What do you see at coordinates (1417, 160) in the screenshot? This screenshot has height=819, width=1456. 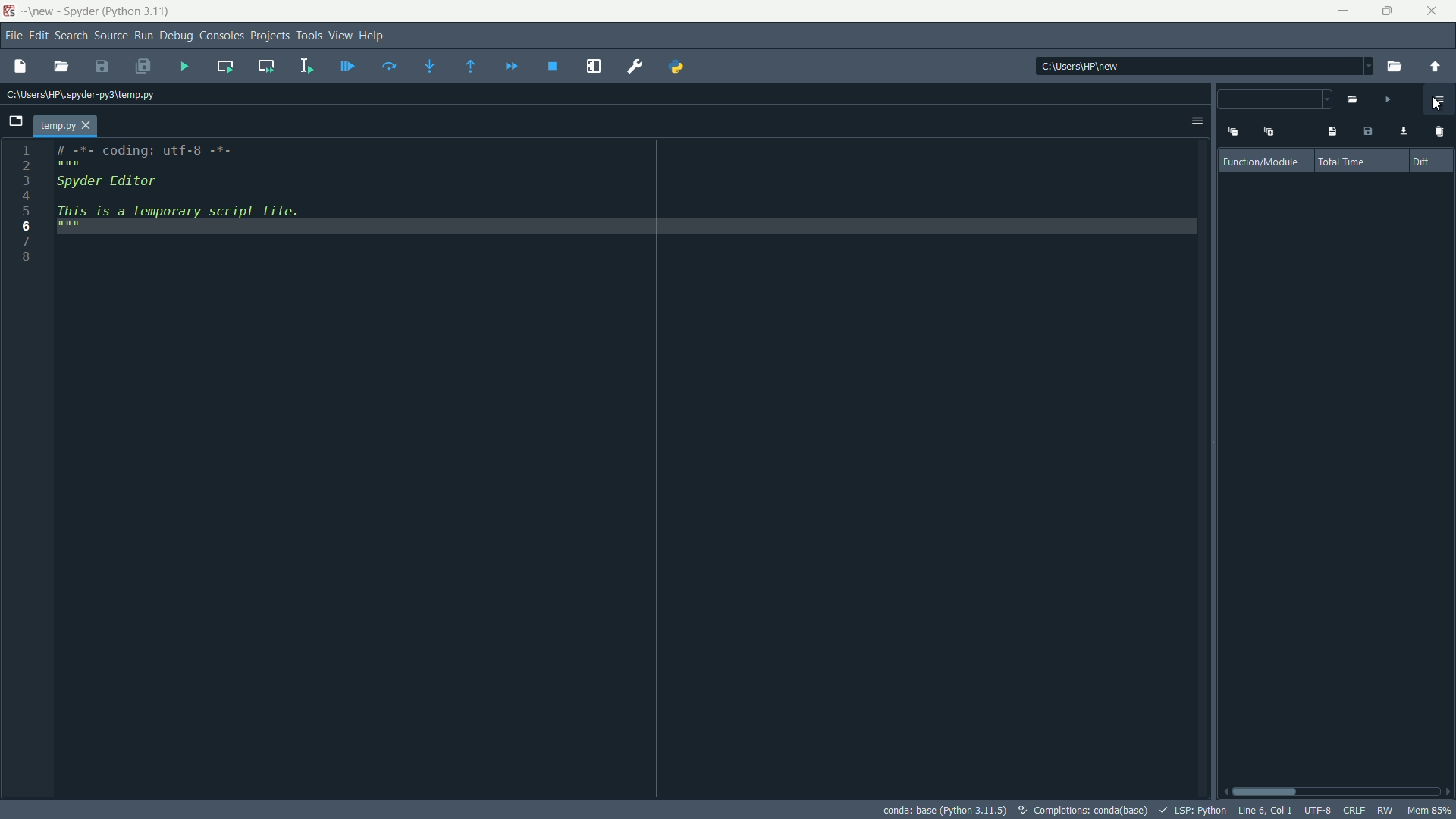 I see `diff` at bounding box center [1417, 160].